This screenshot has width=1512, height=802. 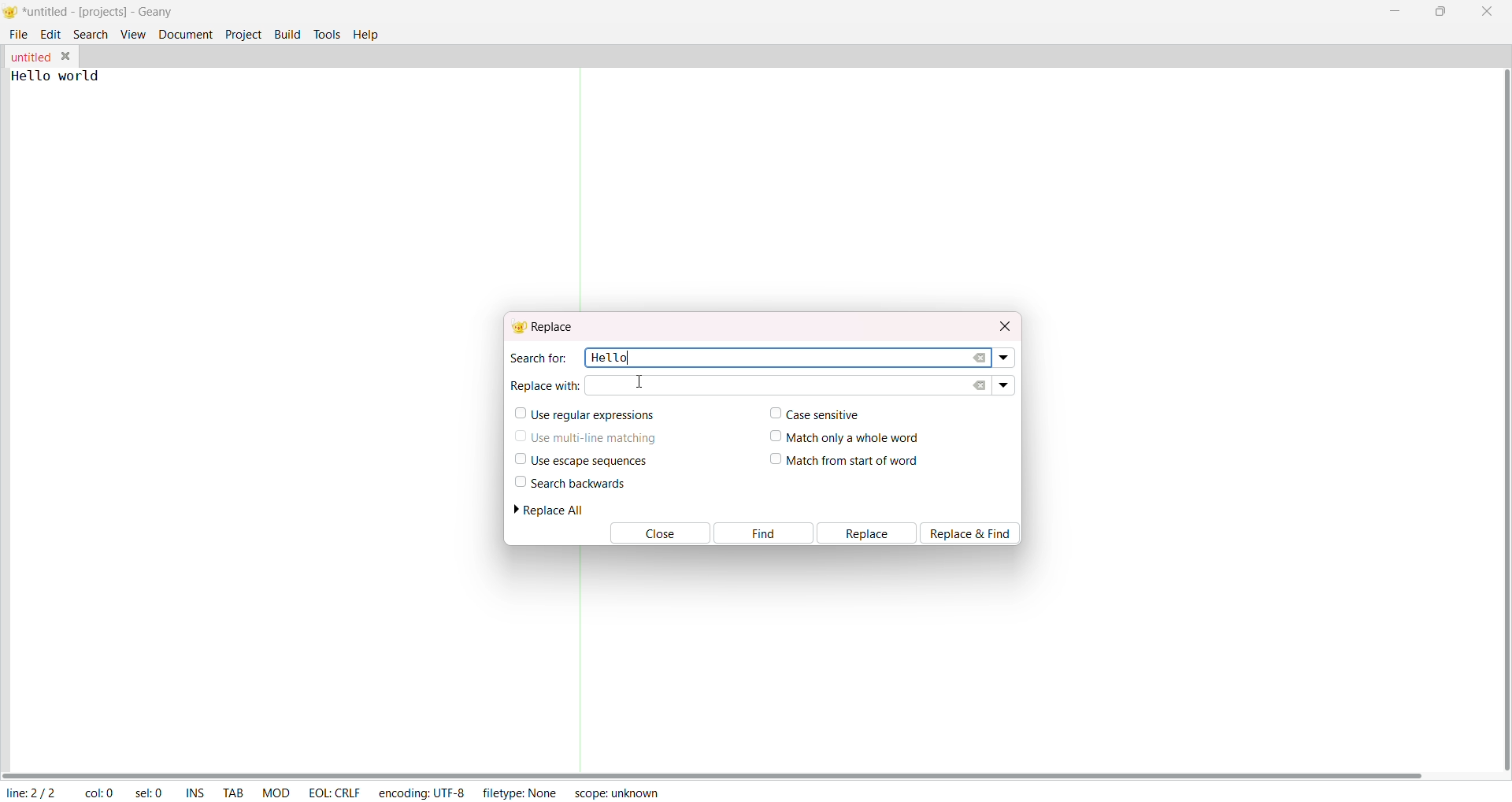 What do you see at coordinates (20, 32) in the screenshot?
I see `file` at bounding box center [20, 32].